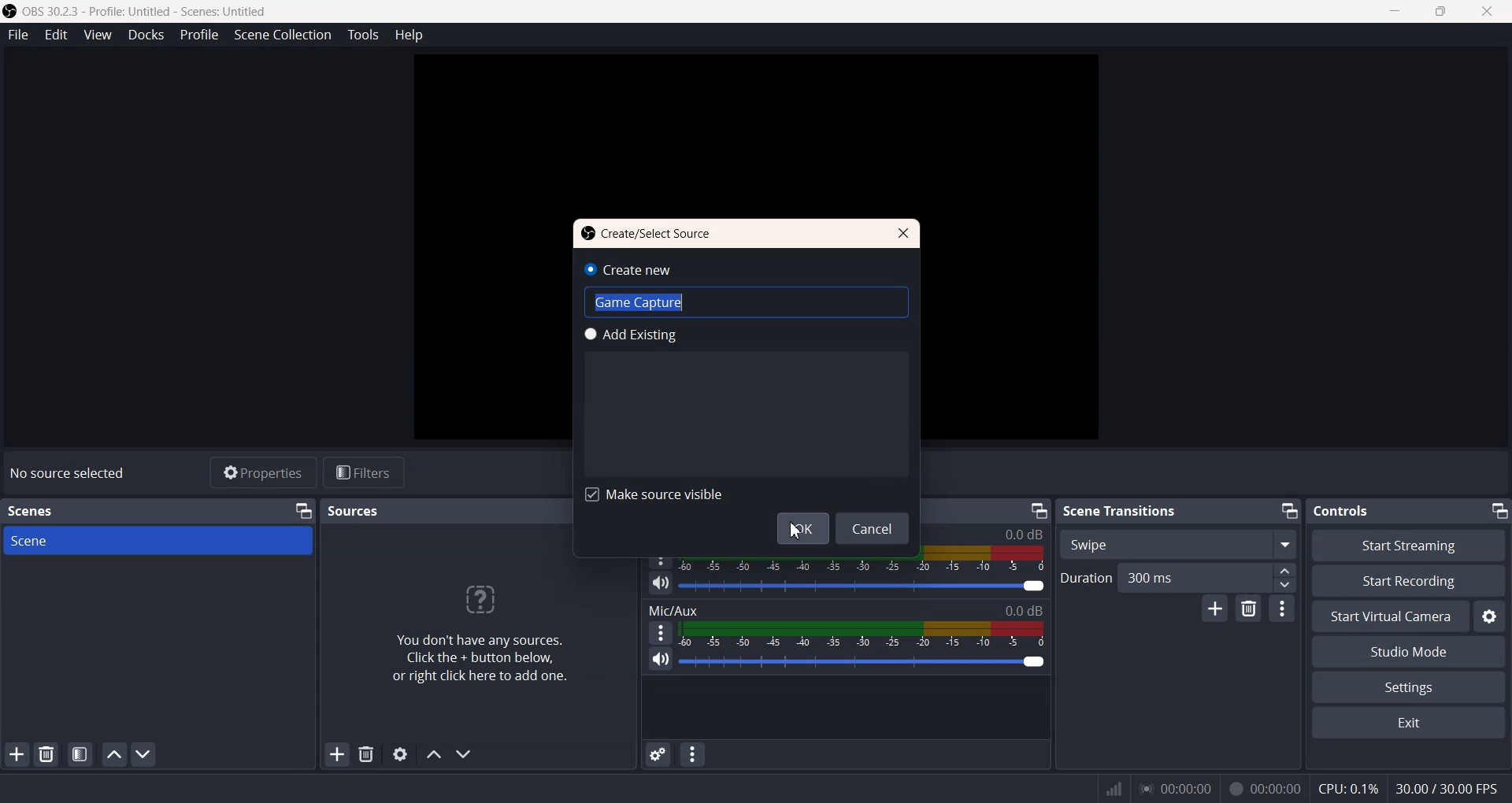 This screenshot has height=803, width=1512. What do you see at coordinates (1281, 608) in the screenshot?
I see `Transition properties` at bounding box center [1281, 608].